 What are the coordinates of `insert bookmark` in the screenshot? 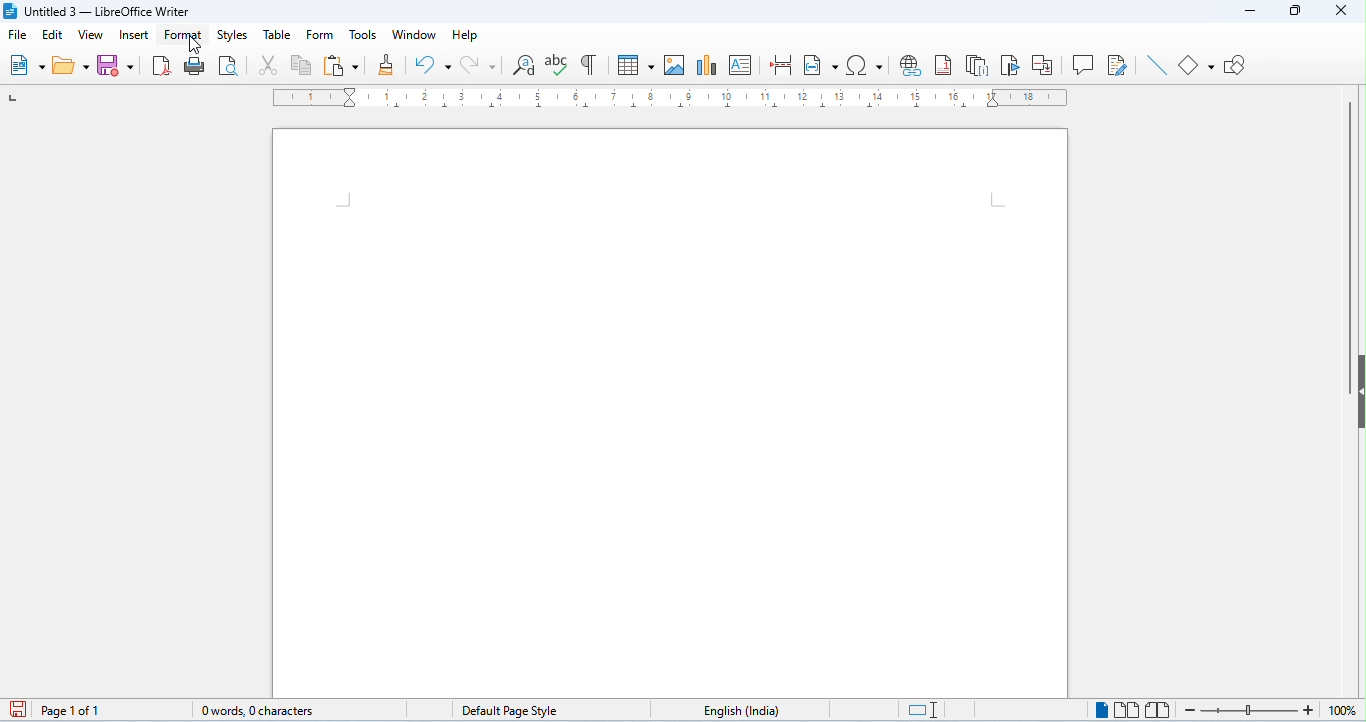 It's located at (1012, 65).